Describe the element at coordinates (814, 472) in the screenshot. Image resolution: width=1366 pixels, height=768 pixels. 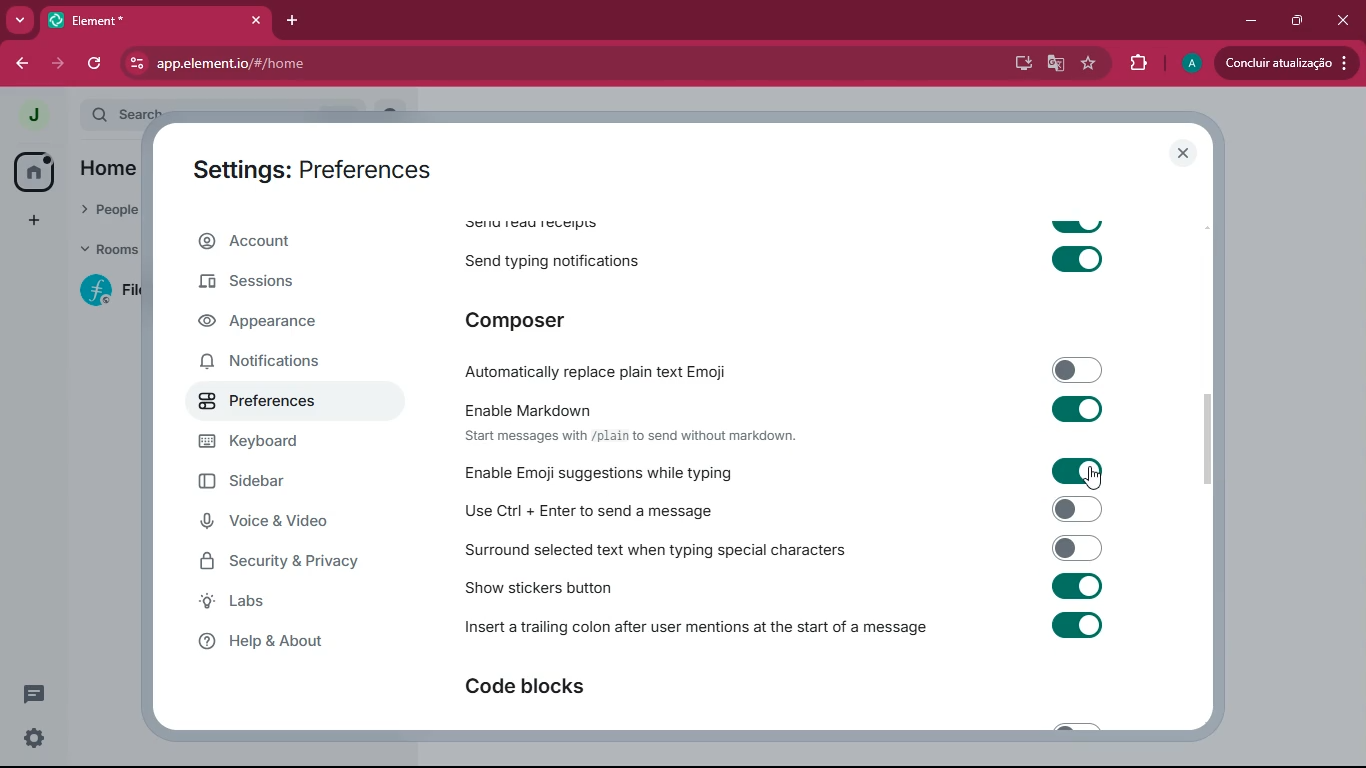
I see `enable emoji` at that location.